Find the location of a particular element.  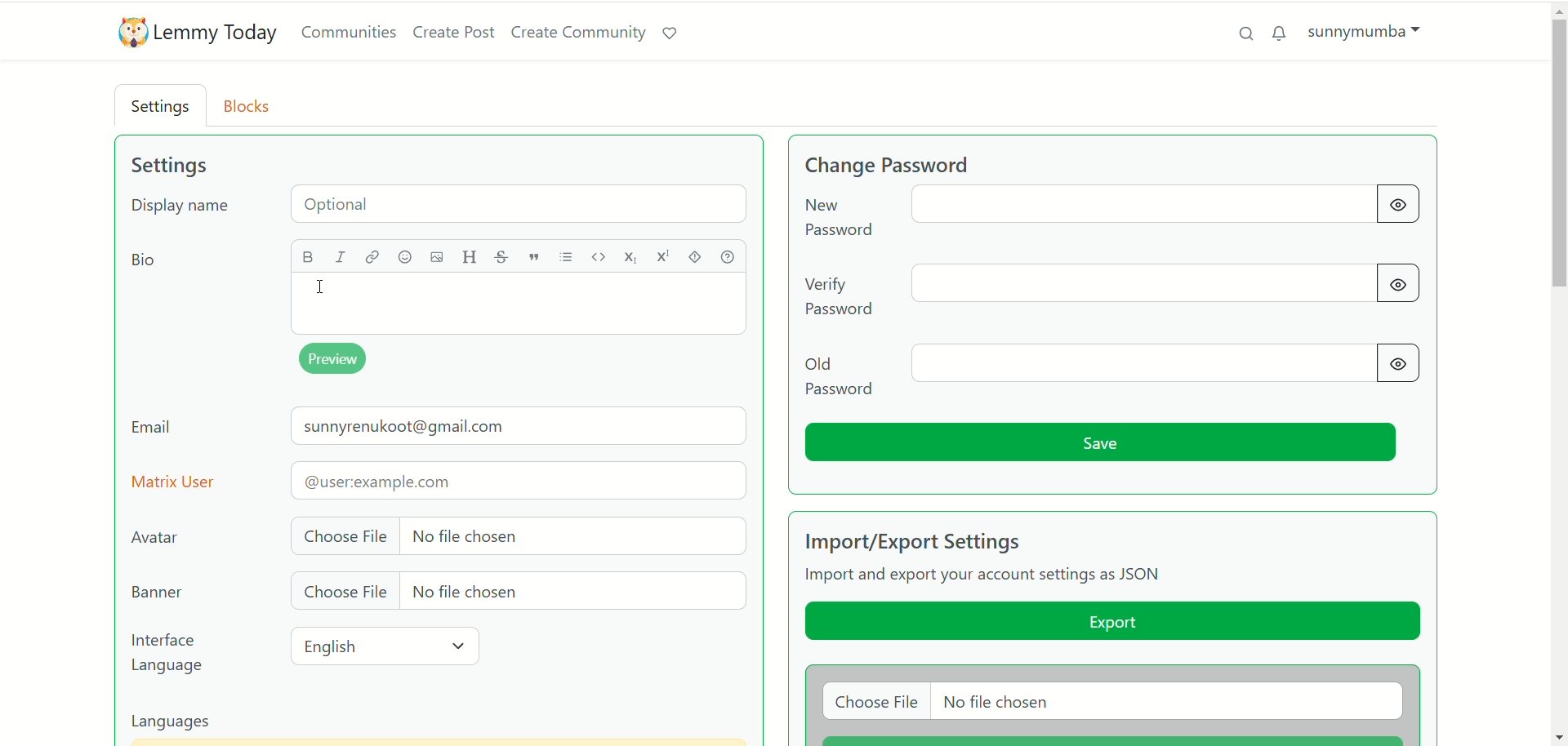

link is located at coordinates (372, 256).